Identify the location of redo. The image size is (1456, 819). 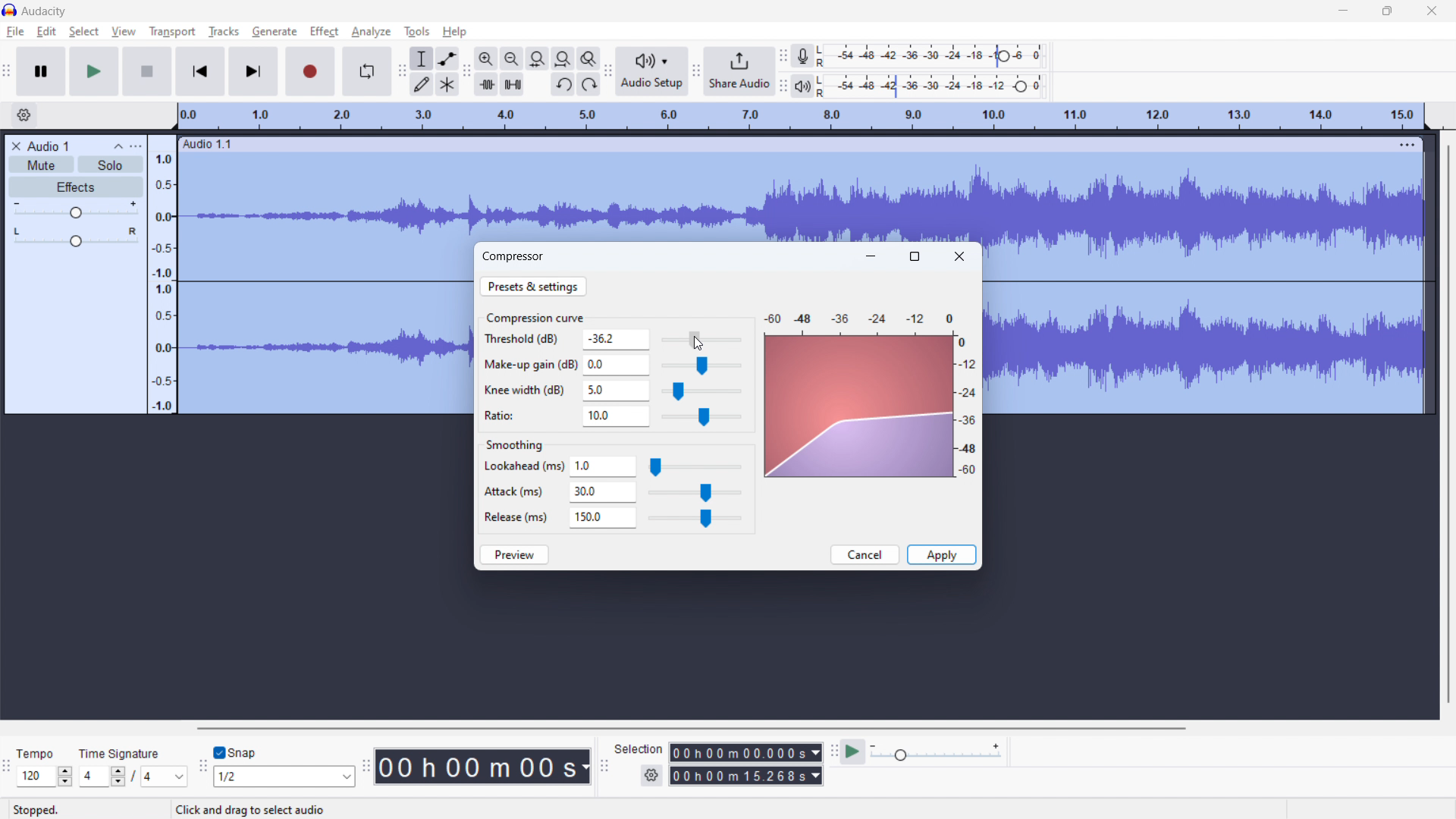
(588, 84).